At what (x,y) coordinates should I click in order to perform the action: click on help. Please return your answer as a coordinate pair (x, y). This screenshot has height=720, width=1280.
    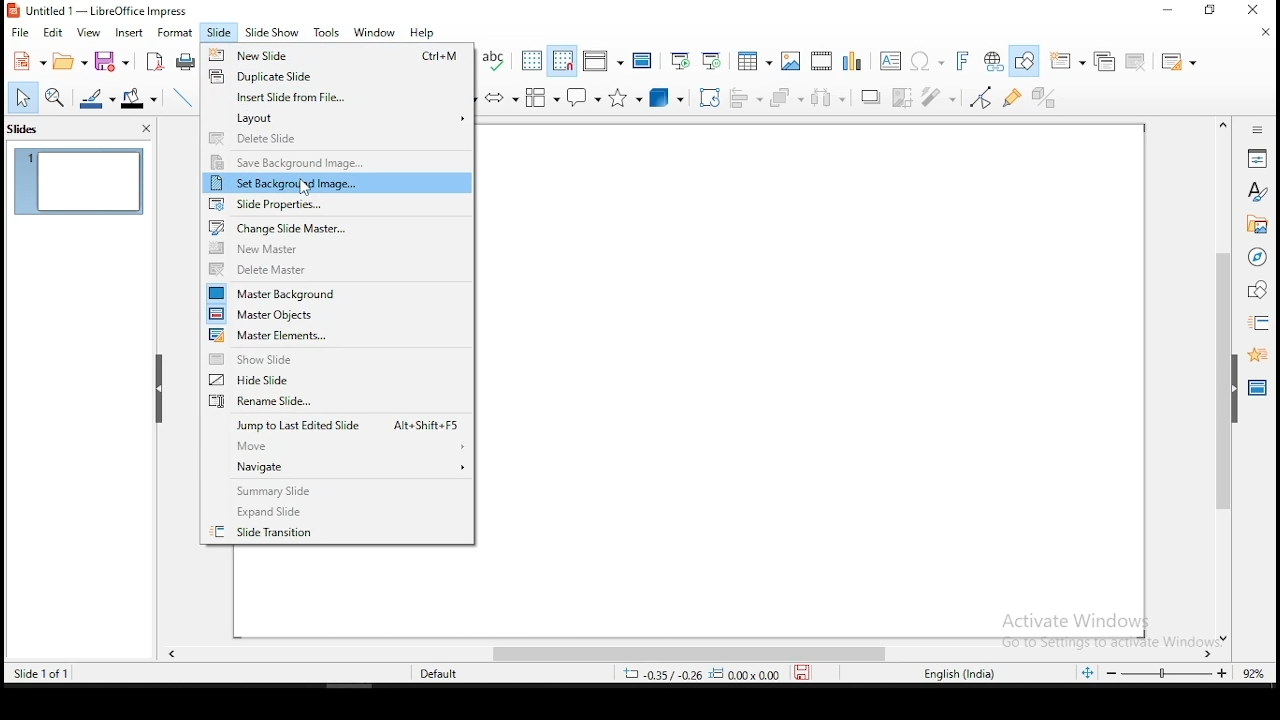
    Looking at the image, I should click on (424, 33).